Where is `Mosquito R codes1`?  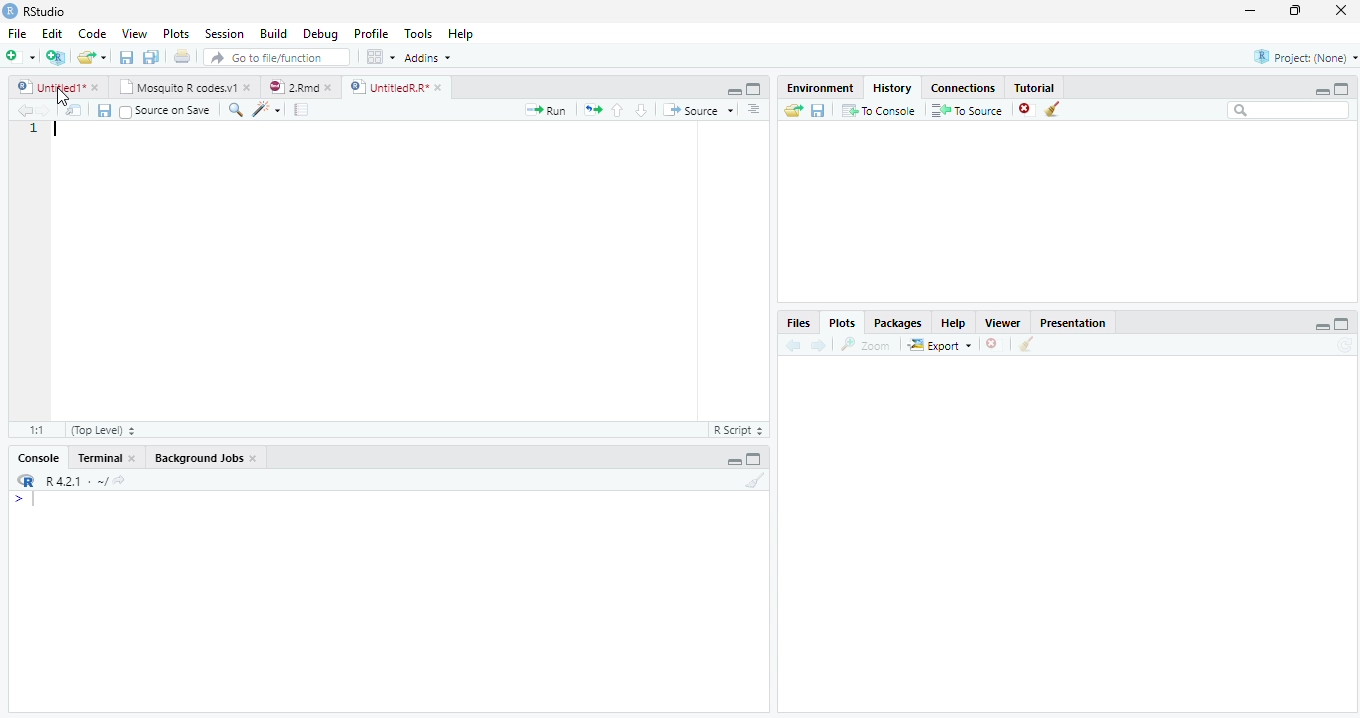 Mosquito R codes1 is located at coordinates (184, 90).